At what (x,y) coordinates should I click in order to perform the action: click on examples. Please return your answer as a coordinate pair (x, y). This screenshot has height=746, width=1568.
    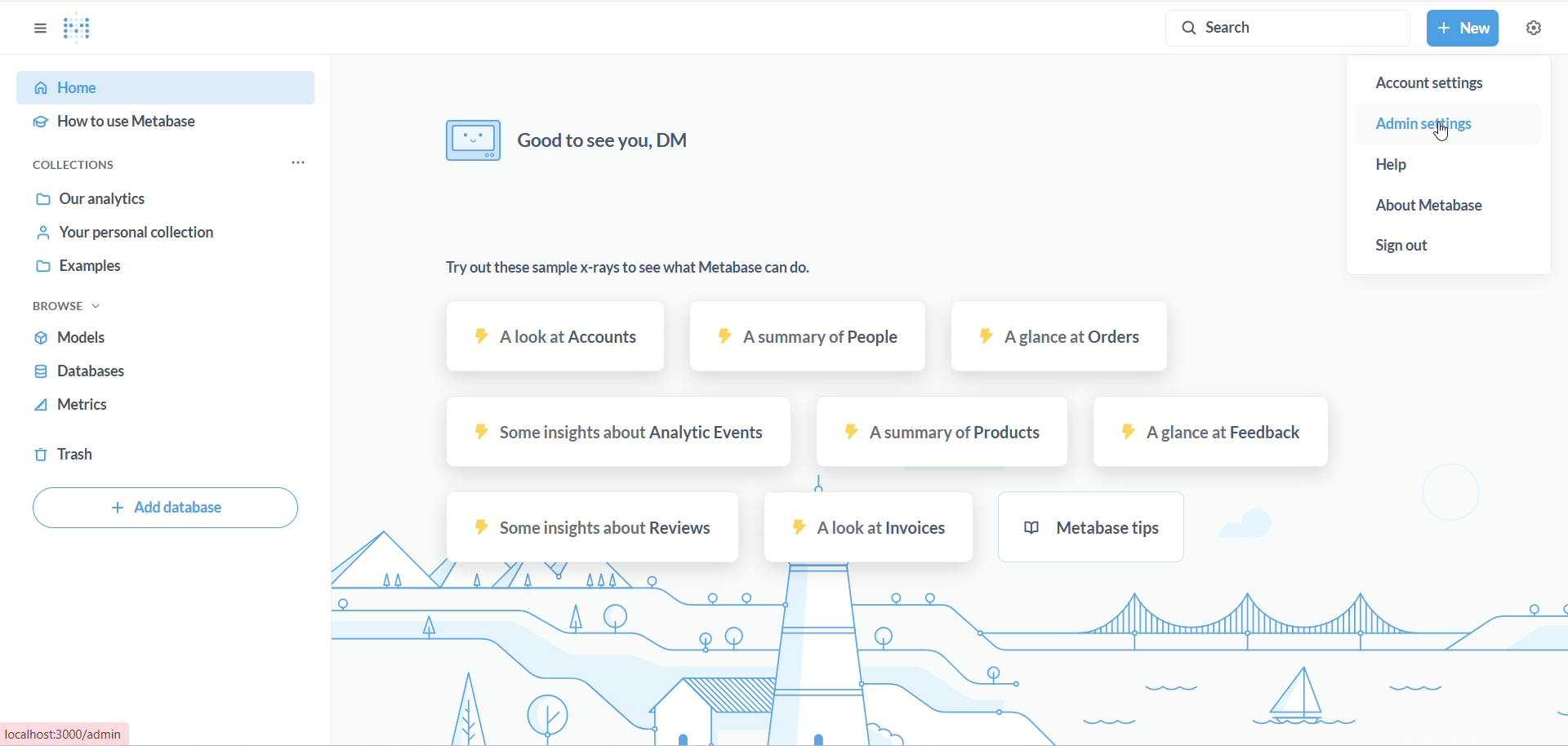
    Looking at the image, I should click on (90, 271).